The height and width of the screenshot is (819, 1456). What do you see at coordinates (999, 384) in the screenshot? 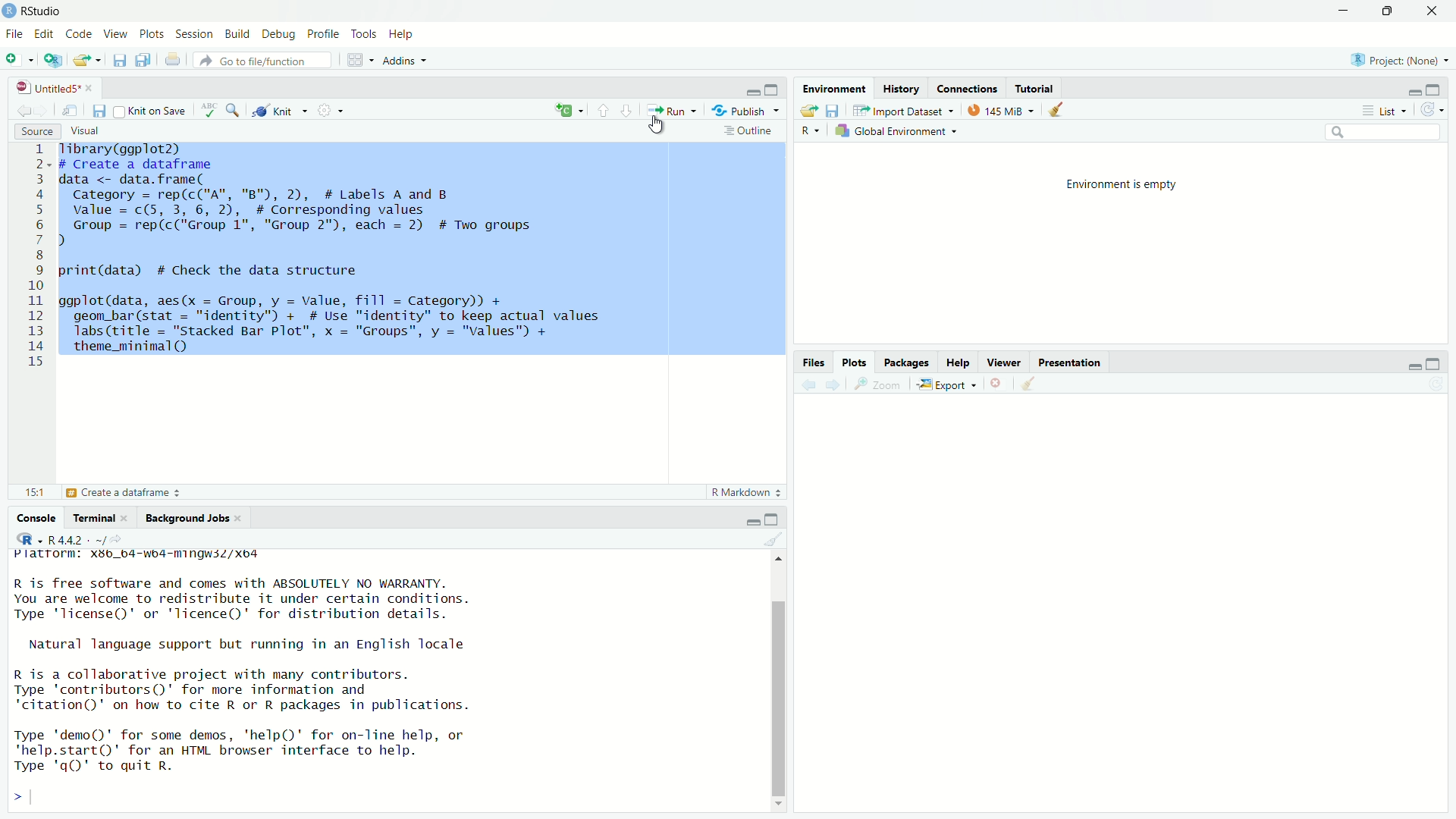
I see `Close` at bounding box center [999, 384].